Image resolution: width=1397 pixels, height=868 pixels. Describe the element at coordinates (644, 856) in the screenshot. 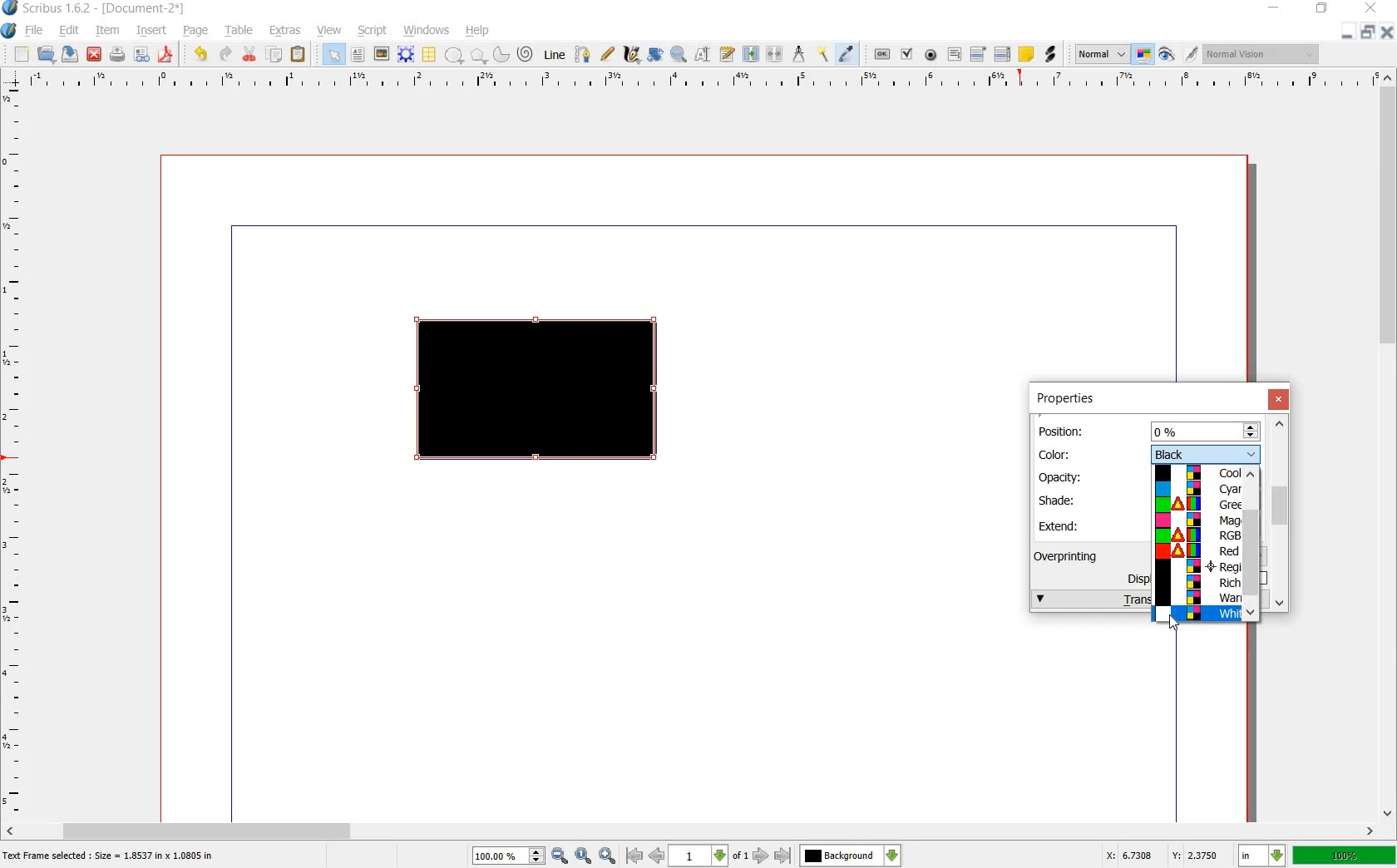

I see `go to previous or first page` at that location.